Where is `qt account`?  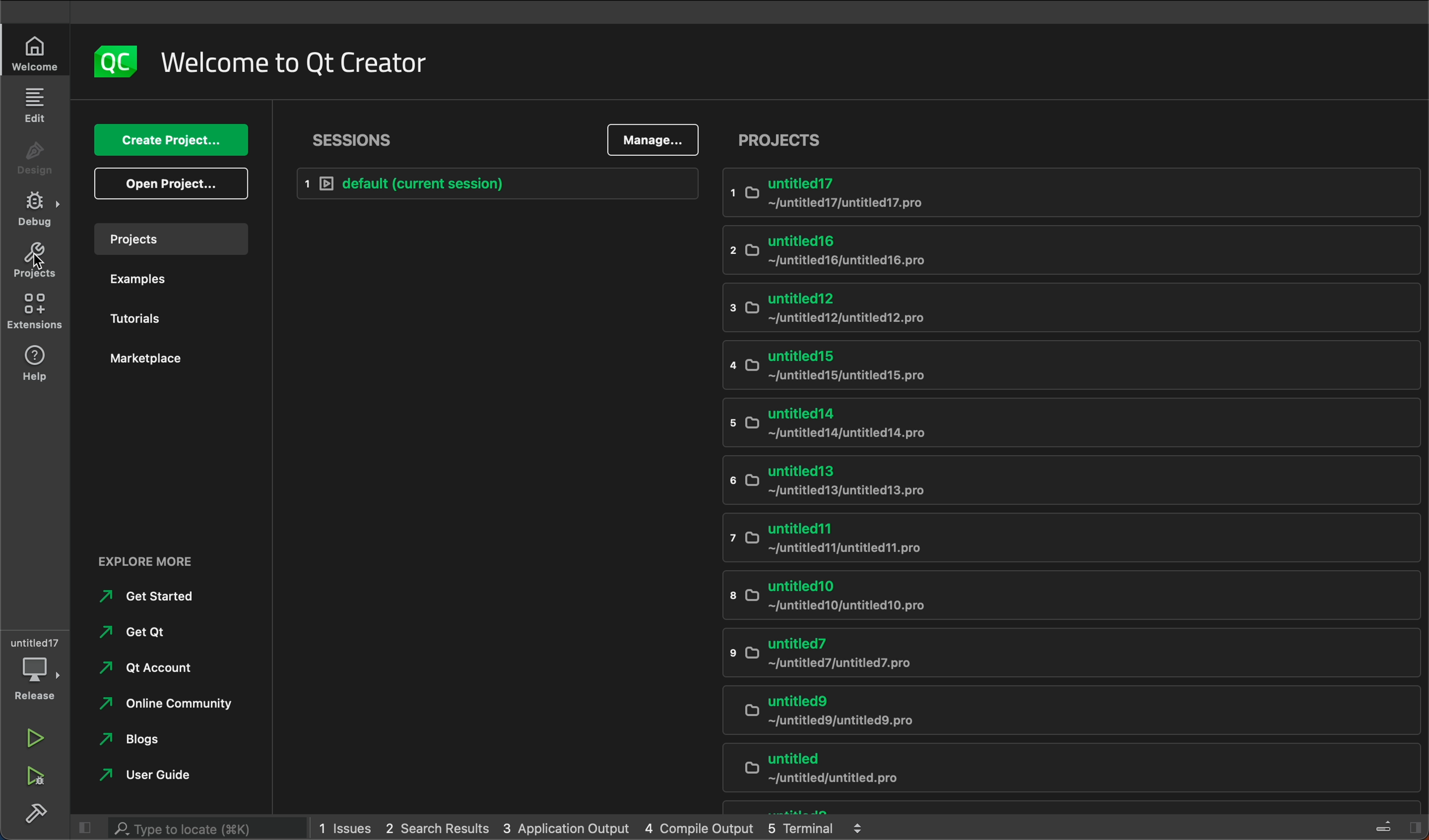 qt account is located at coordinates (147, 669).